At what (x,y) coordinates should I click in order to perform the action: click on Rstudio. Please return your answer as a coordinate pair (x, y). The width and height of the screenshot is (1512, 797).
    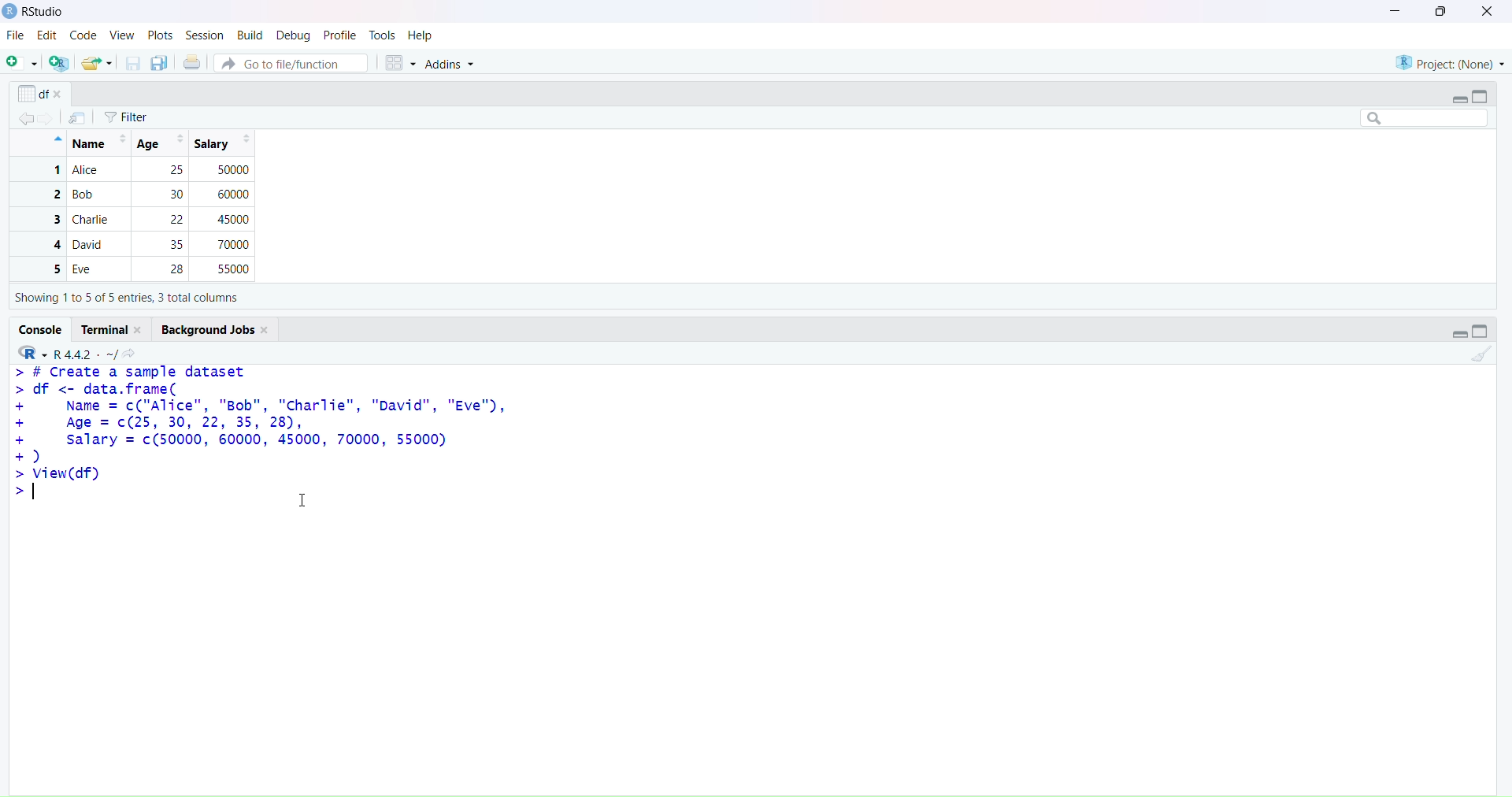
    Looking at the image, I should click on (36, 12).